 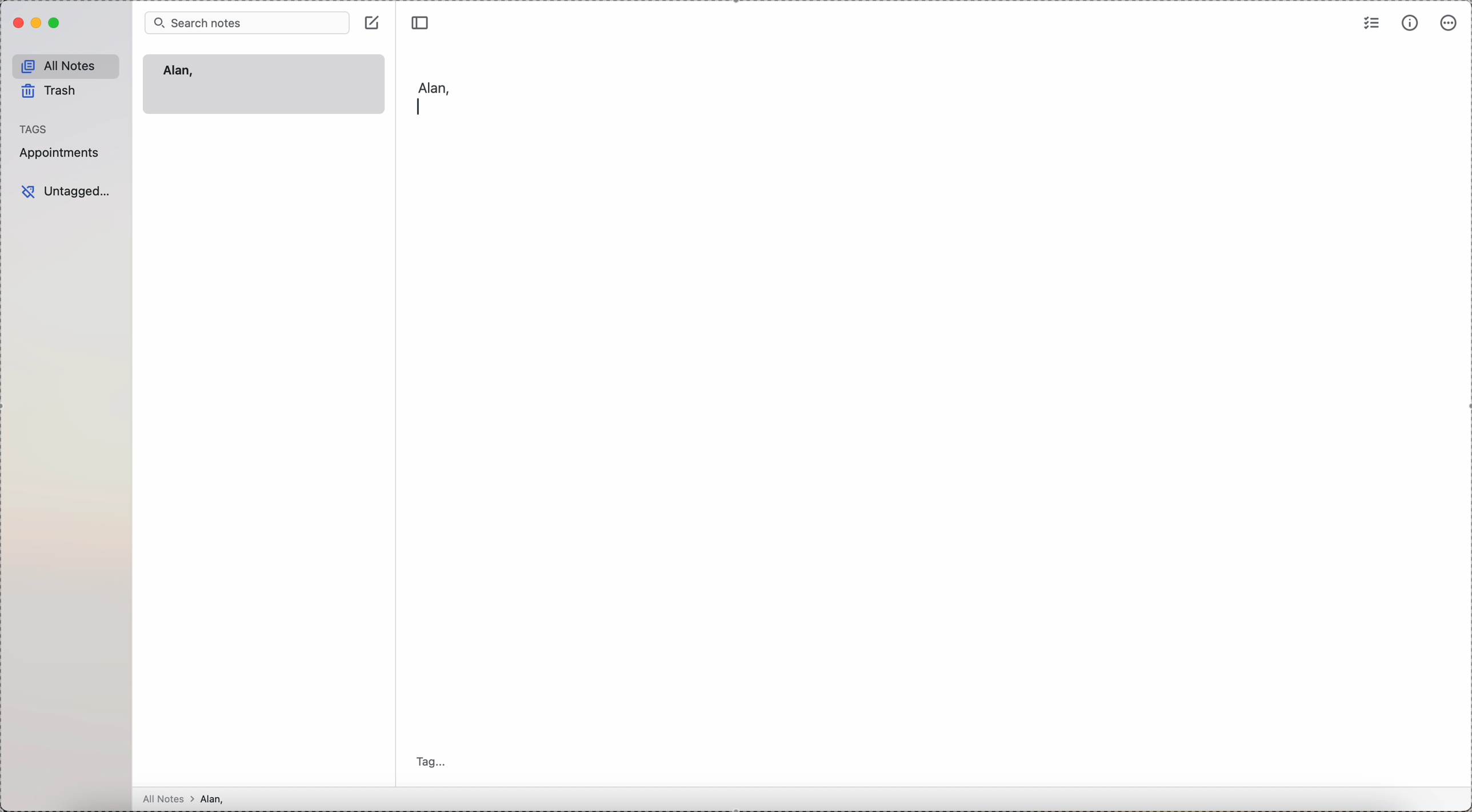 I want to click on maximize, so click(x=56, y=23).